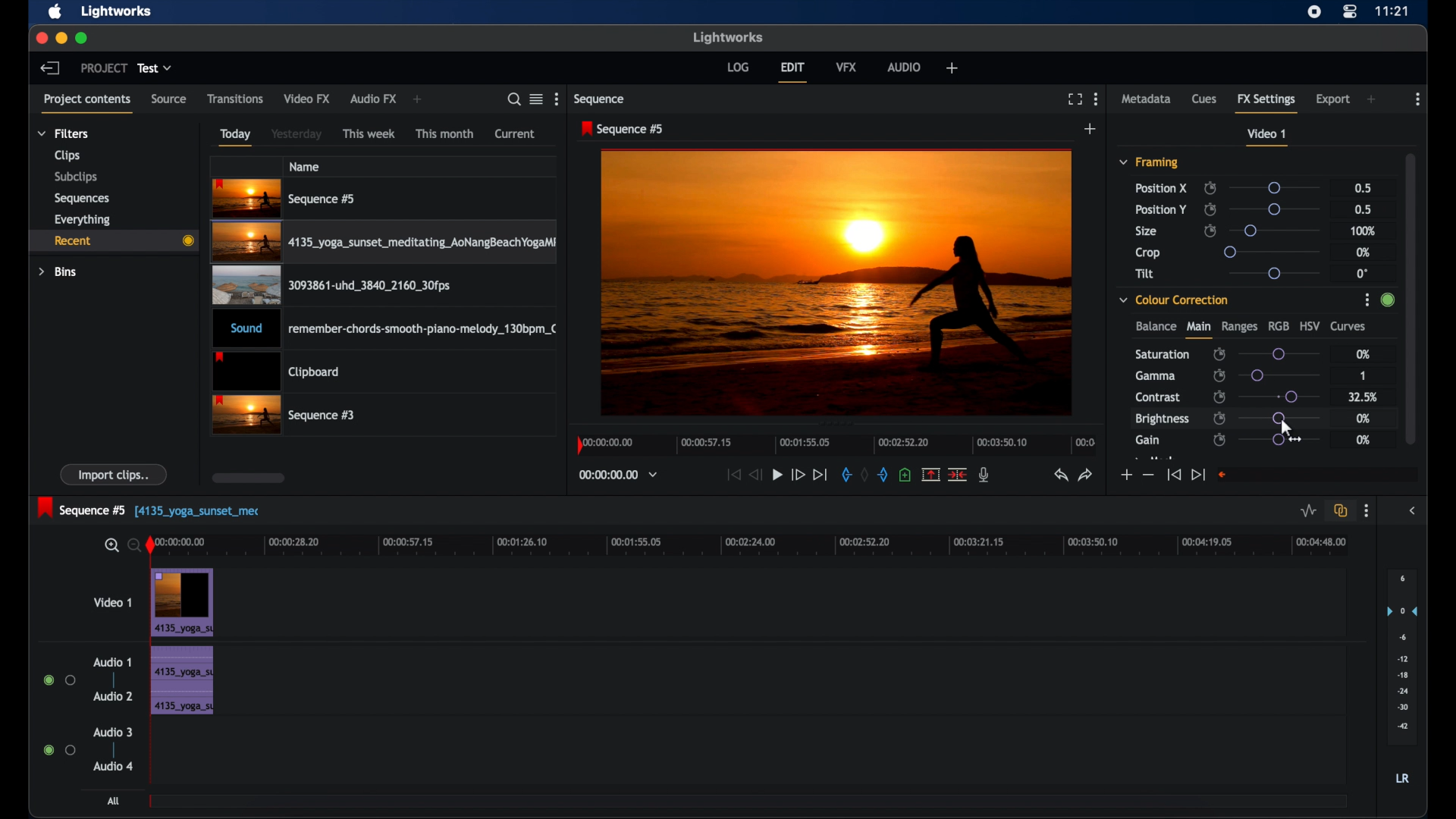  What do you see at coordinates (737, 66) in the screenshot?
I see `log` at bounding box center [737, 66].